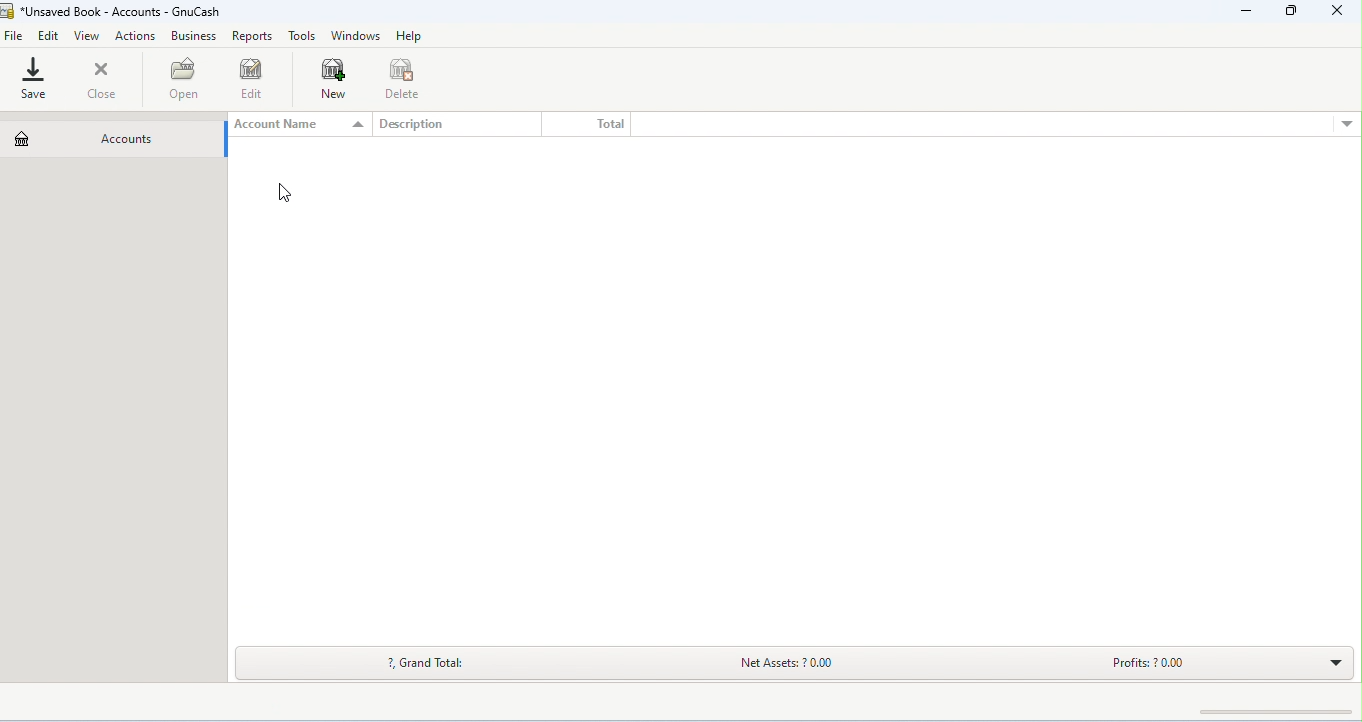  Describe the element at coordinates (253, 35) in the screenshot. I see `reports` at that location.